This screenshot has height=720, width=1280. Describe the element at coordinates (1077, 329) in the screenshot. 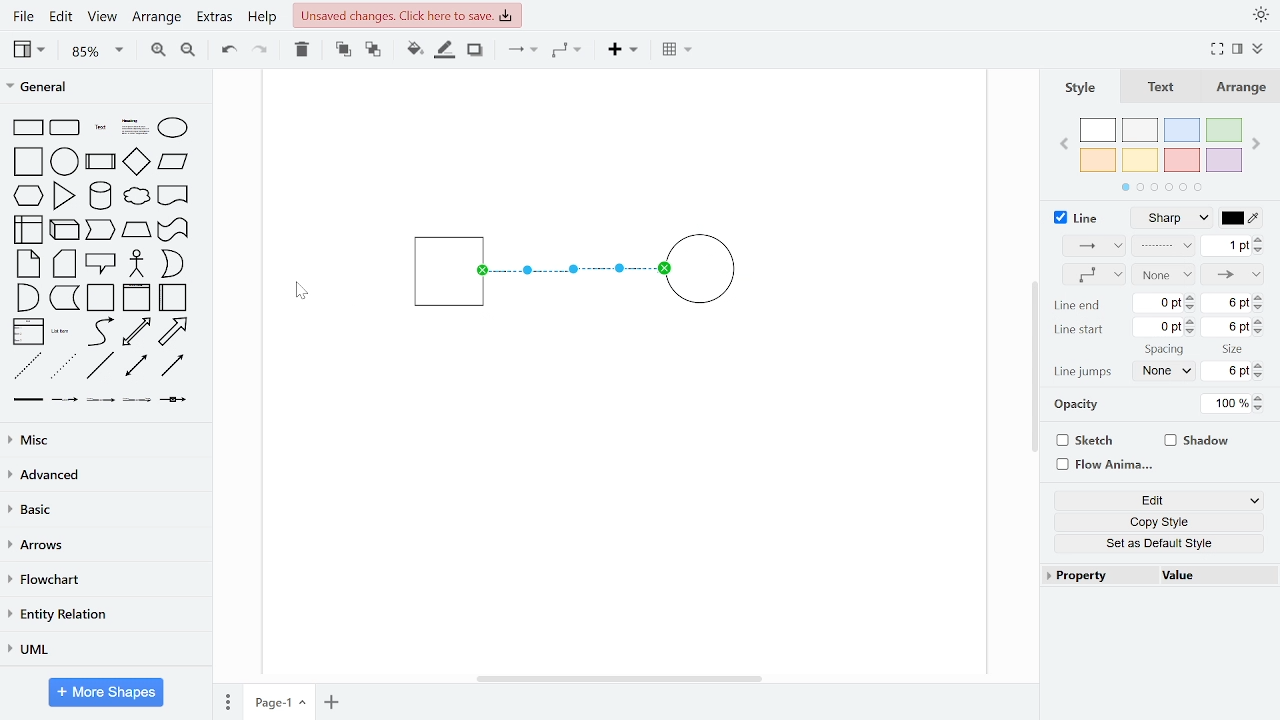

I see `line start` at that location.